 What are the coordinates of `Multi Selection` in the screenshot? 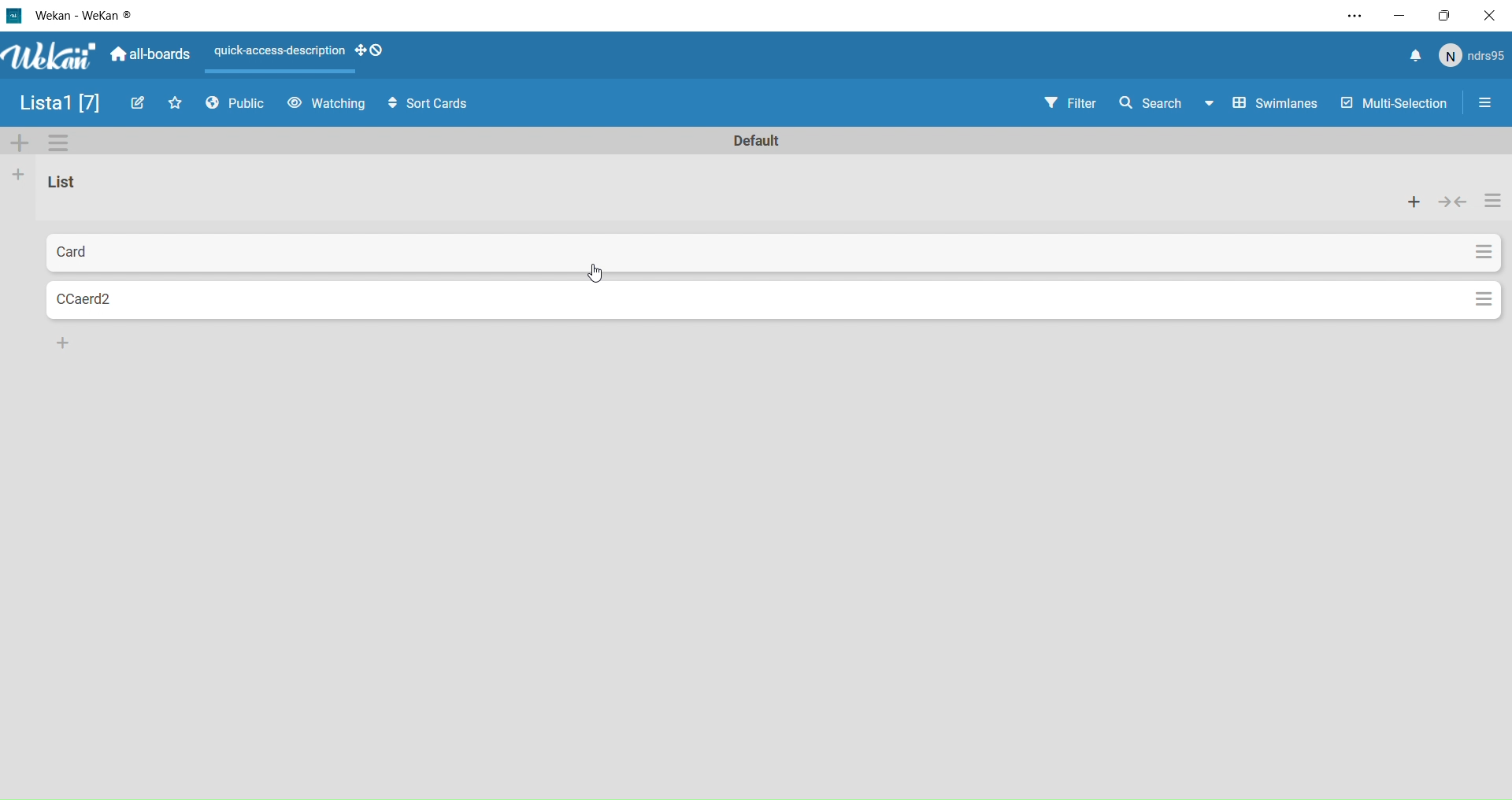 It's located at (1399, 106).